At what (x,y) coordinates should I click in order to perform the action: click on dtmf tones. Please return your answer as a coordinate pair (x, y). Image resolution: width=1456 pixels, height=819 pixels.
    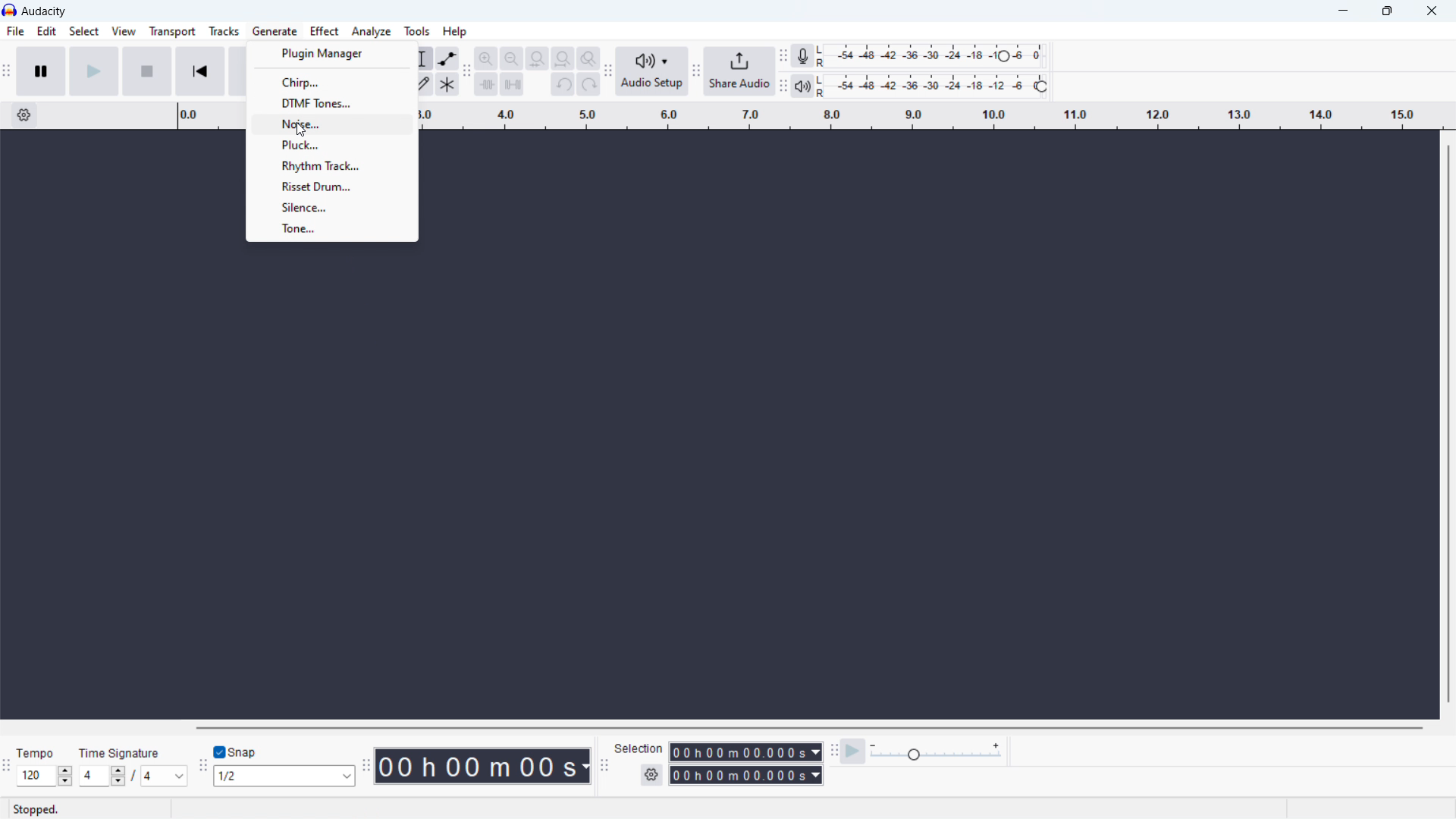
    Looking at the image, I should click on (331, 102).